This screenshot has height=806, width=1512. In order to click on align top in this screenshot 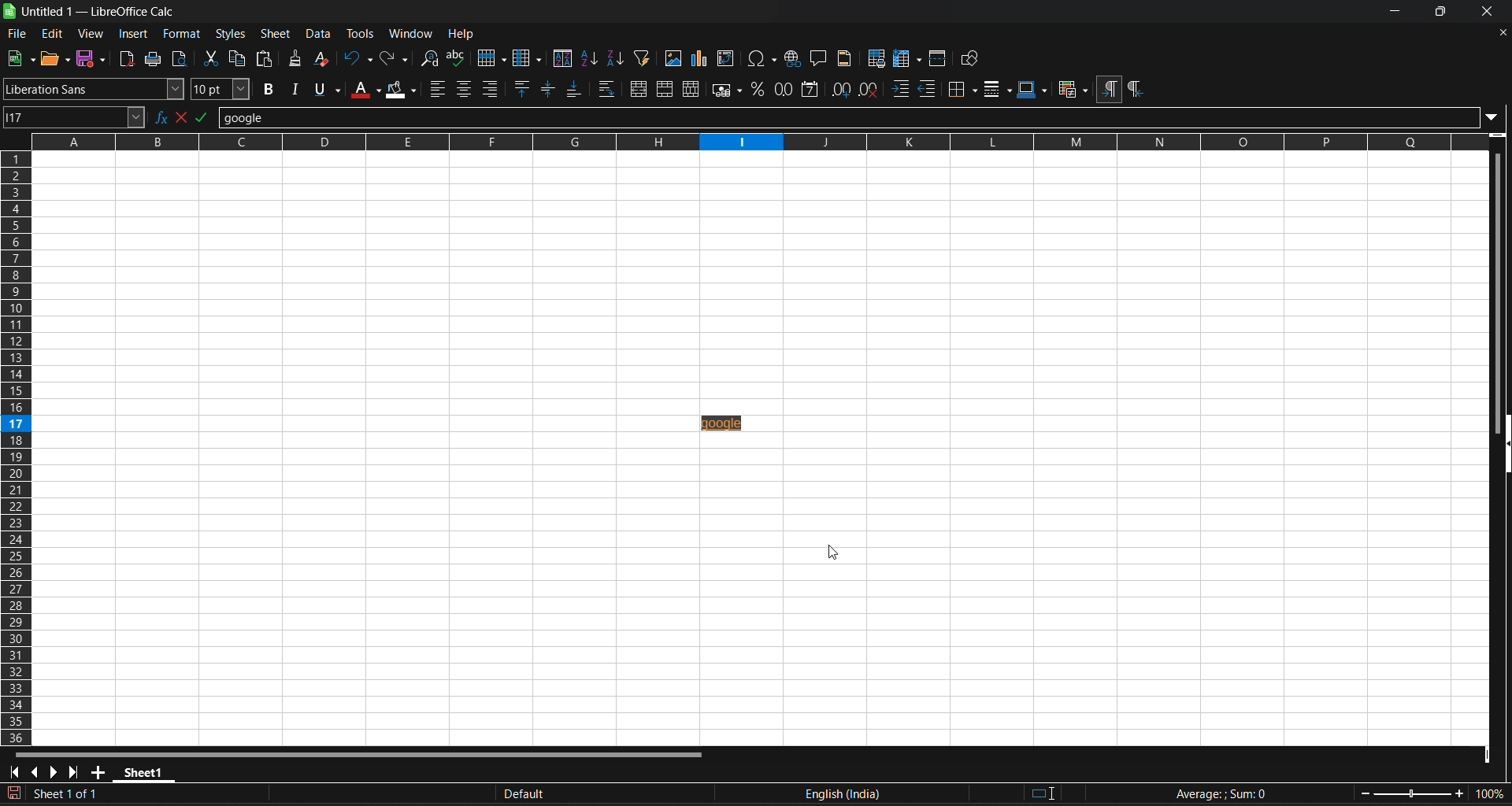, I will do `click(524, 88)`.